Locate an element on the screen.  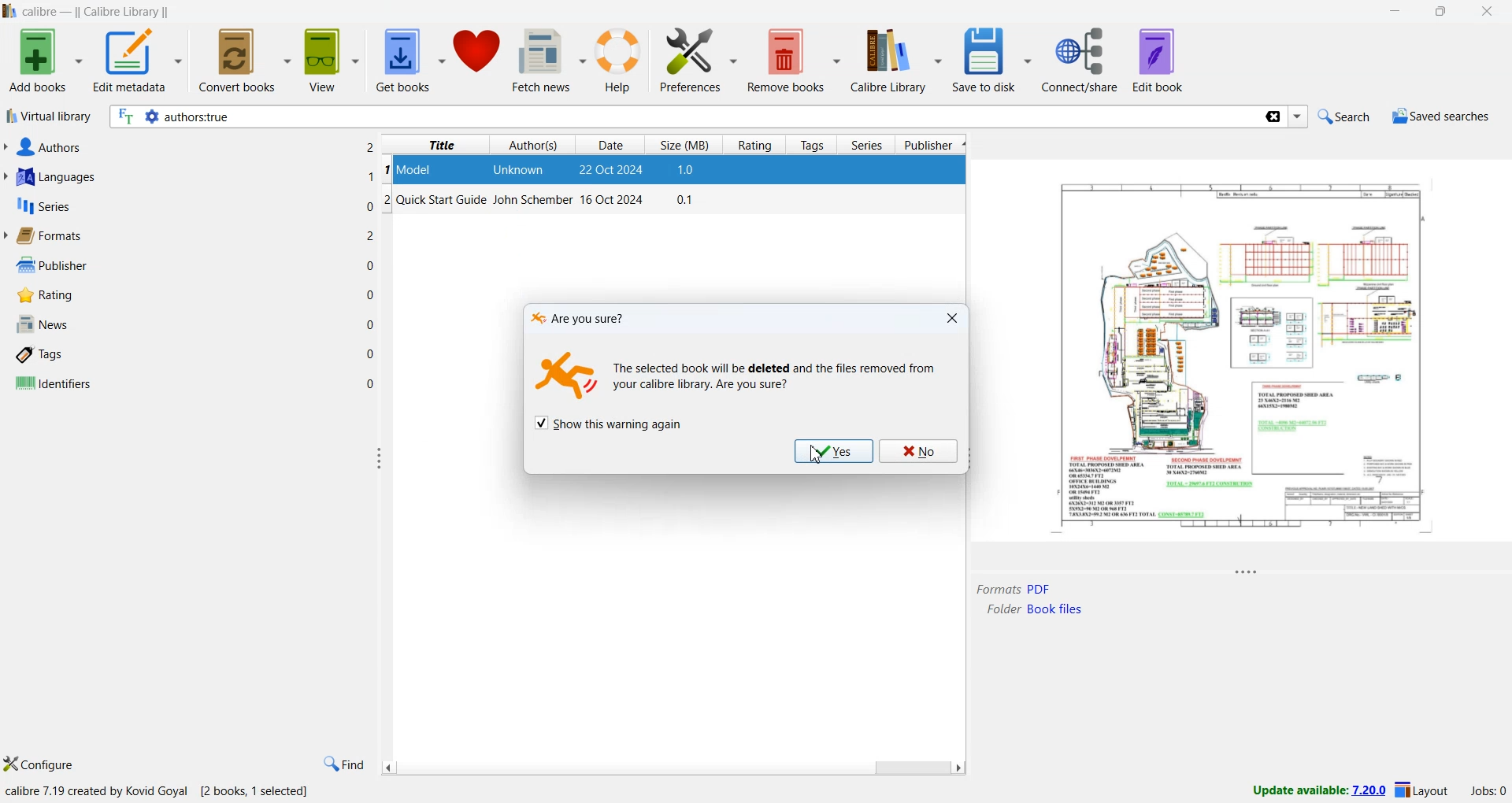
rating is located at coordinates (42, 295).